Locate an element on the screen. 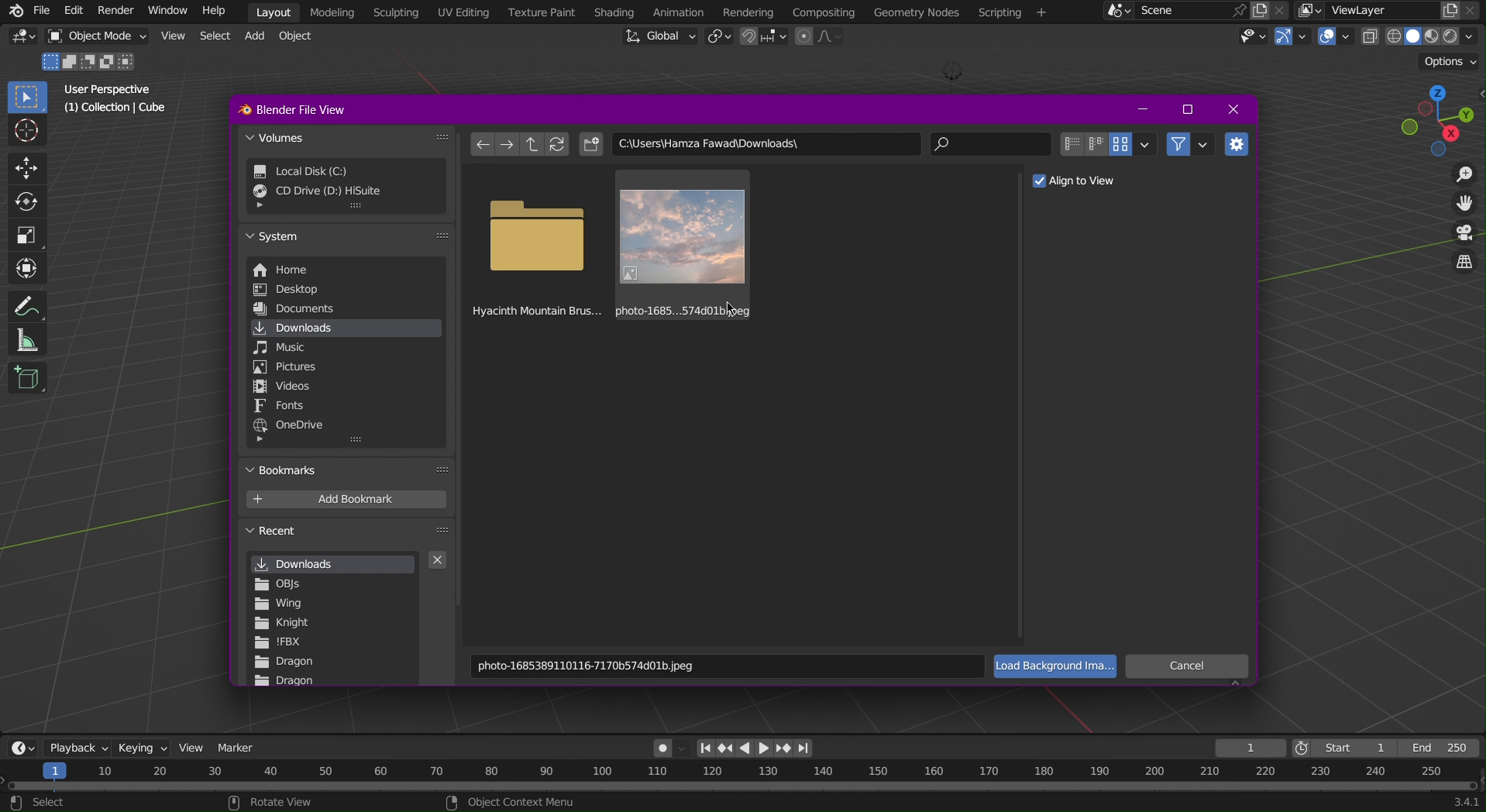 This screenshot has height=812, width=1486. Recent is located at coordinates (350, 534).